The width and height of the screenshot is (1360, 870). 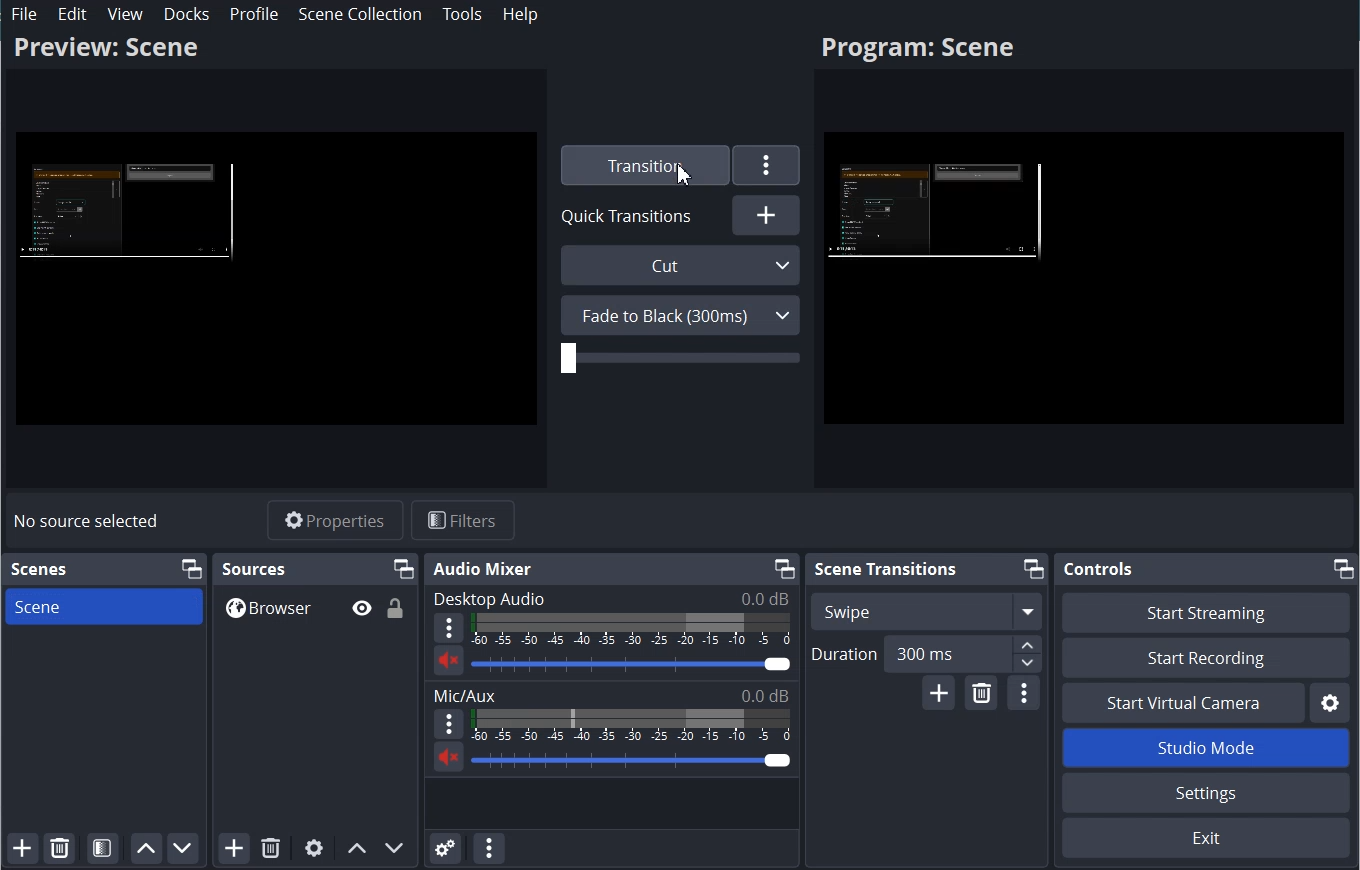 What do you see at coordinates (1205, 611) in the screenshot?
I see `Start Streaming` at bounding box center [1205, 611].